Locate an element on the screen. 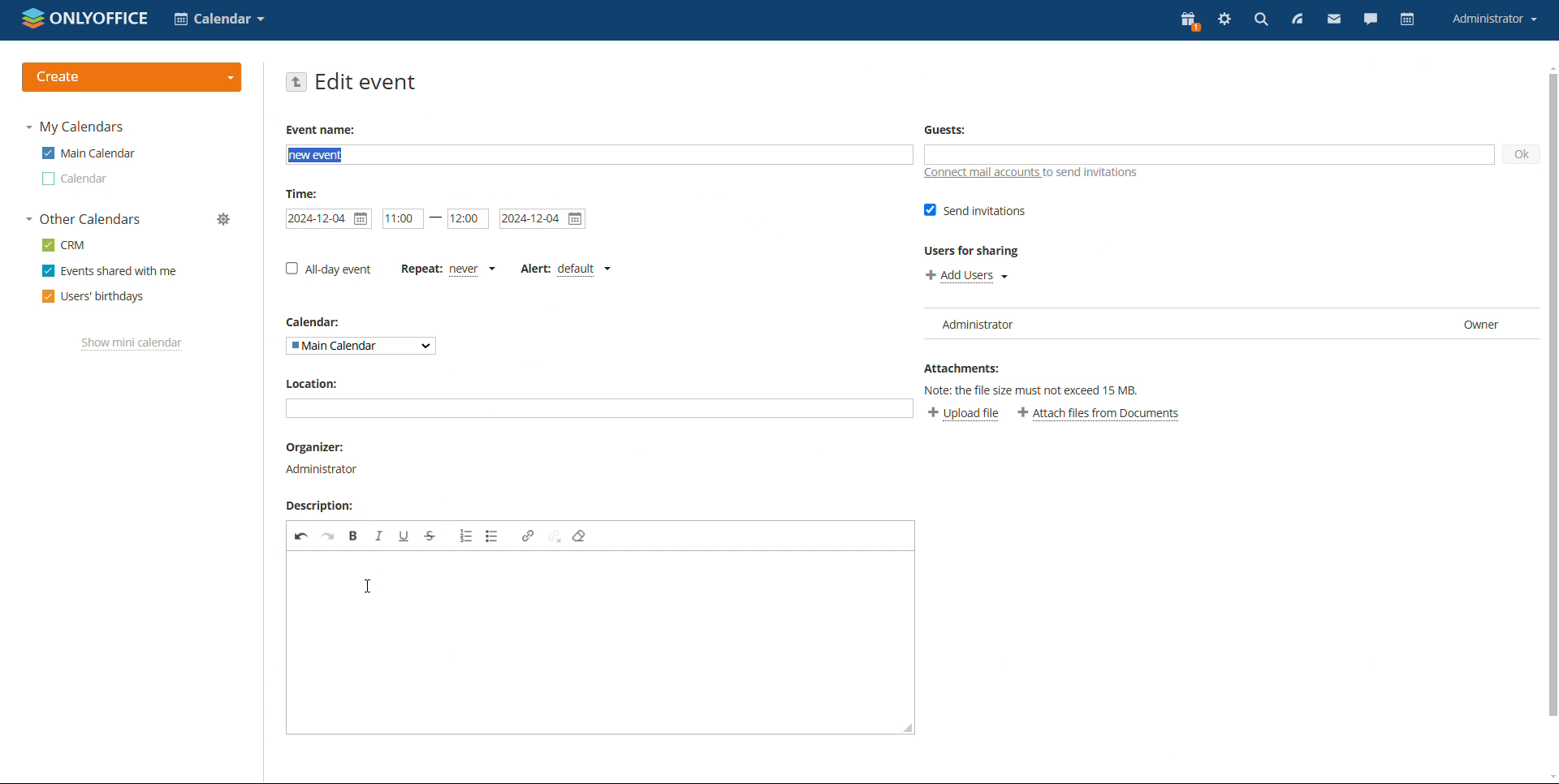 This screenshot has width=1559, height=784. Time: is located at coordinates (305, 194).